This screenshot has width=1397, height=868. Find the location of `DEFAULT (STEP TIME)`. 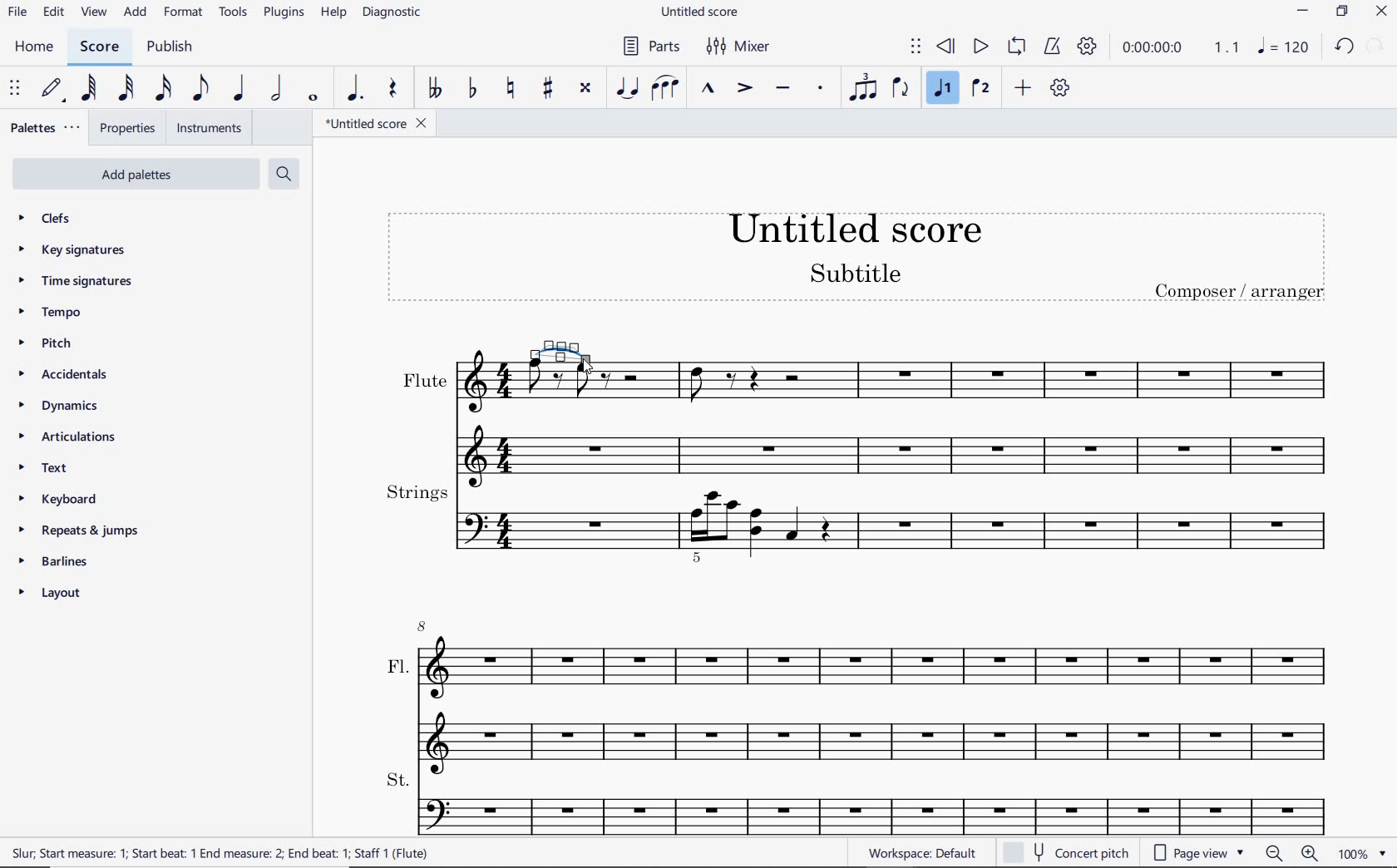

DEFAULT (STEP TIME) is located at coordinates (55, 88).